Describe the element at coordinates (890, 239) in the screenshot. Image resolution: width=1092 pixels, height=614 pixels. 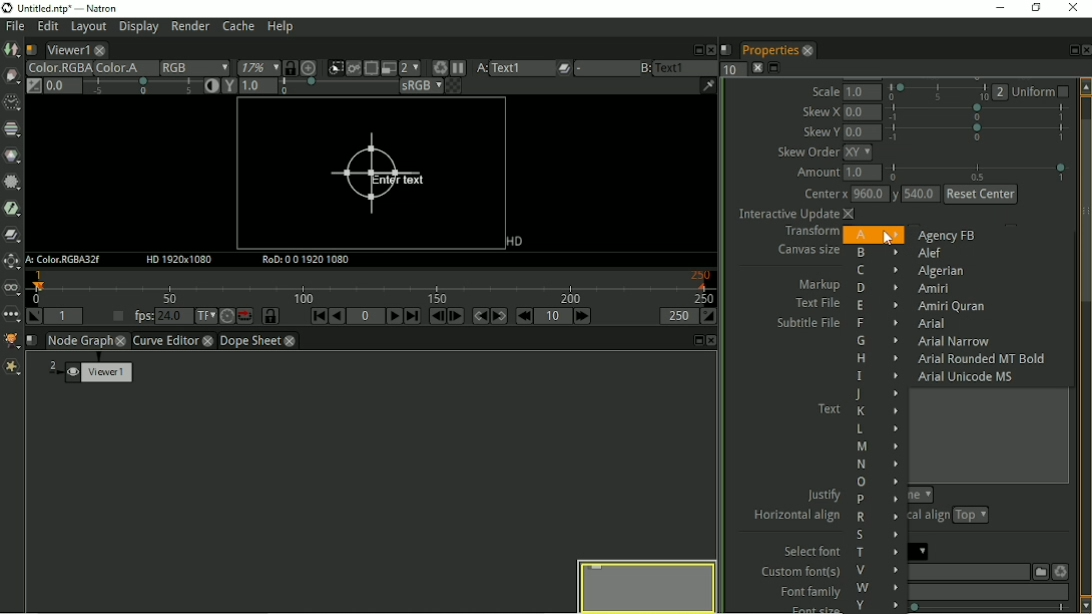
I see `cursor` at that location.